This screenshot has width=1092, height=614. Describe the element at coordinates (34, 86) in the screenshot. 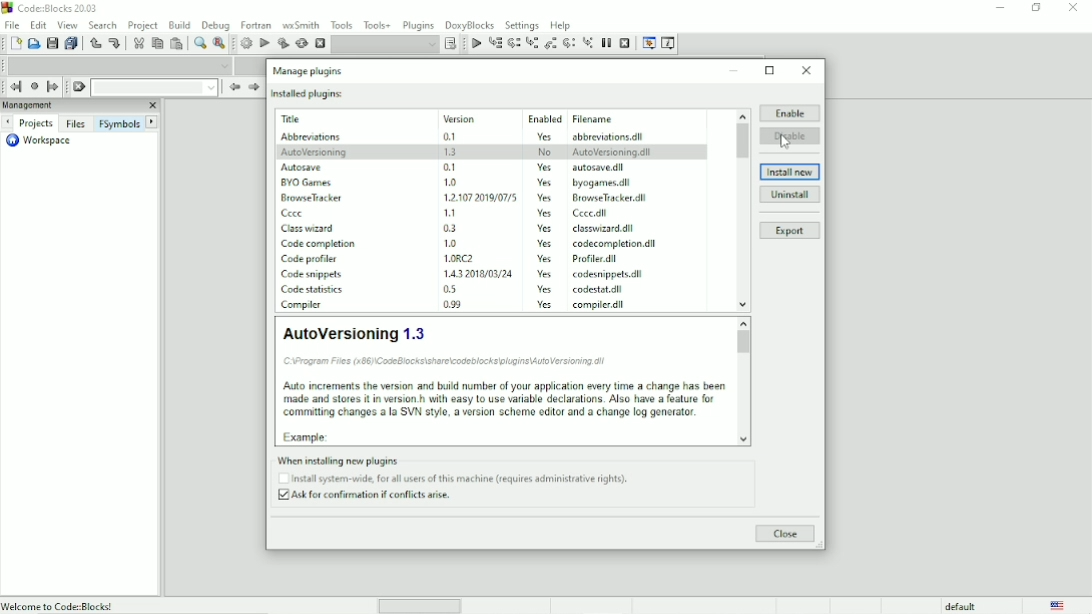

I see `Last jump` at that location.